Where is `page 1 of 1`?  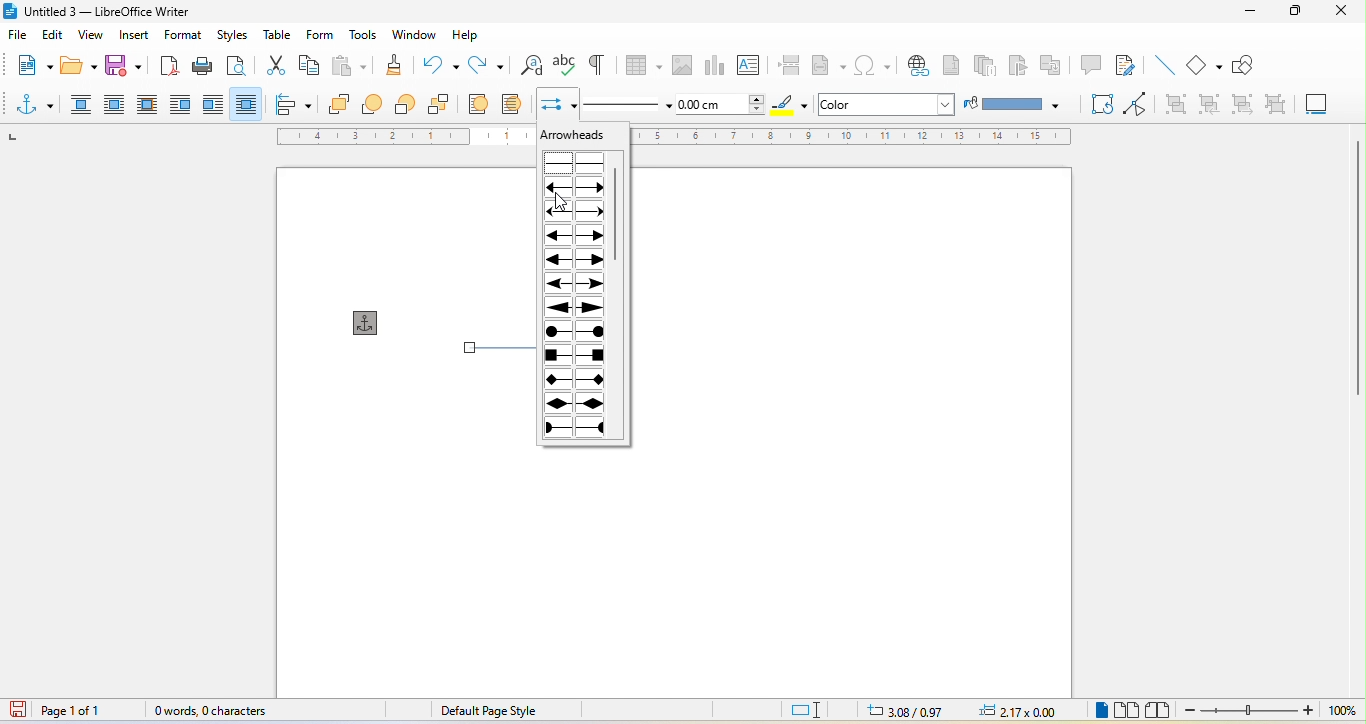
page 1 of 1 is located at coordinates (88, 711).